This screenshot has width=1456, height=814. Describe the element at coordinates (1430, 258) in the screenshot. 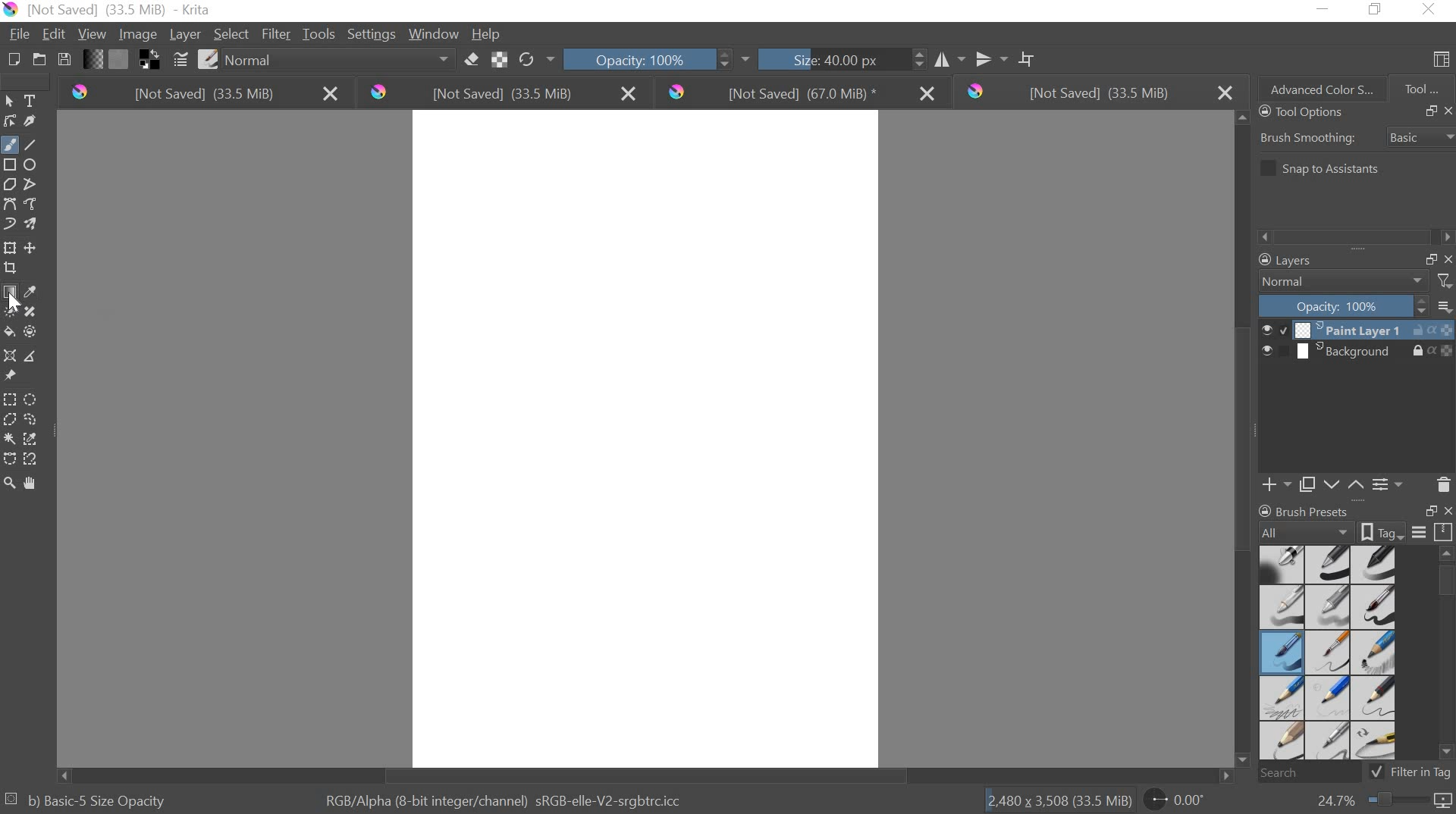

I see `RESTORE DOWN` at that location.